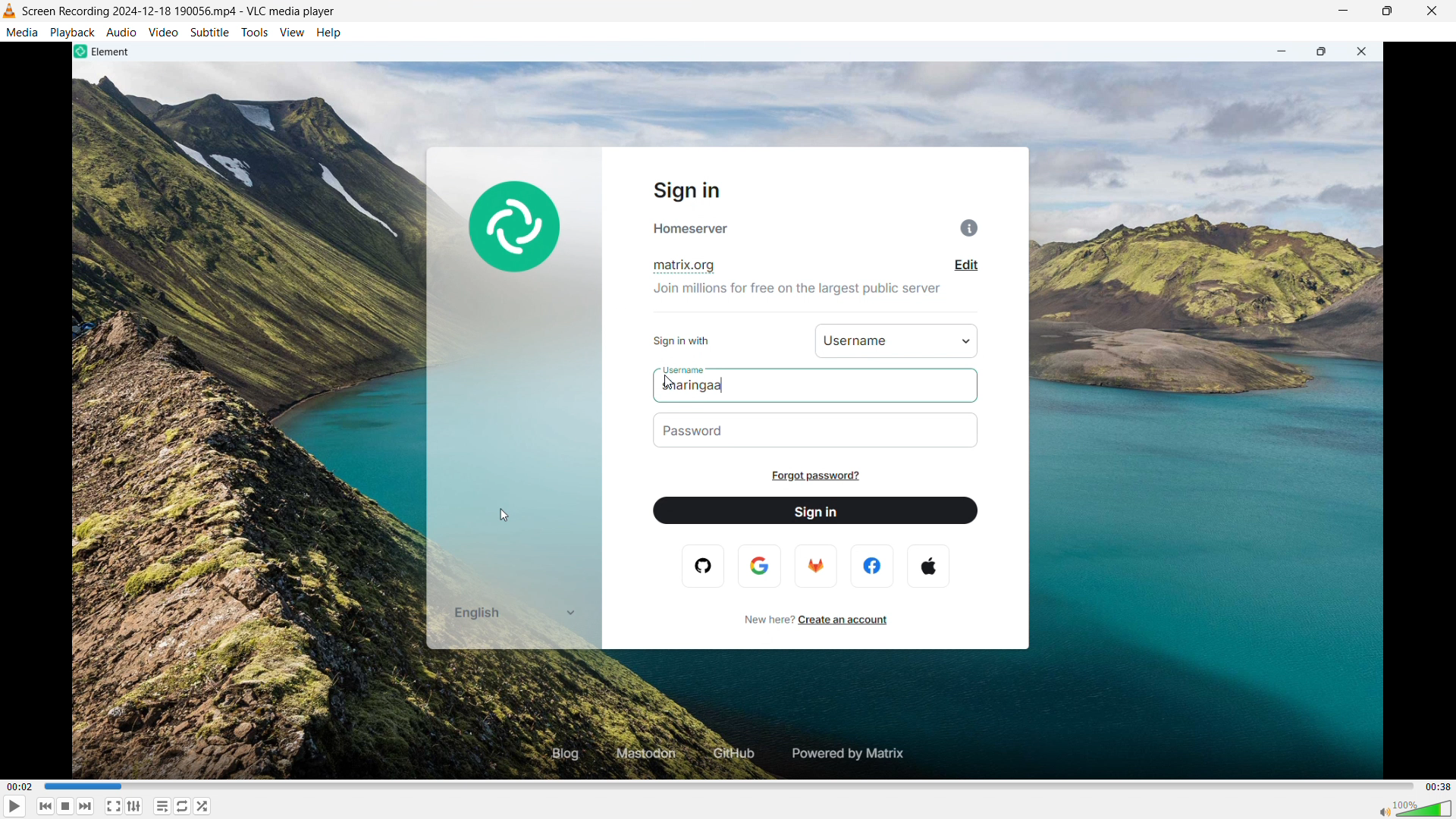 Image resolution: width=1456 pixels, height=819 pixels. What do you see at coordinates (45, 807) in the screenshot?
I see `backward or previous media` at bounding box center [45, 807].